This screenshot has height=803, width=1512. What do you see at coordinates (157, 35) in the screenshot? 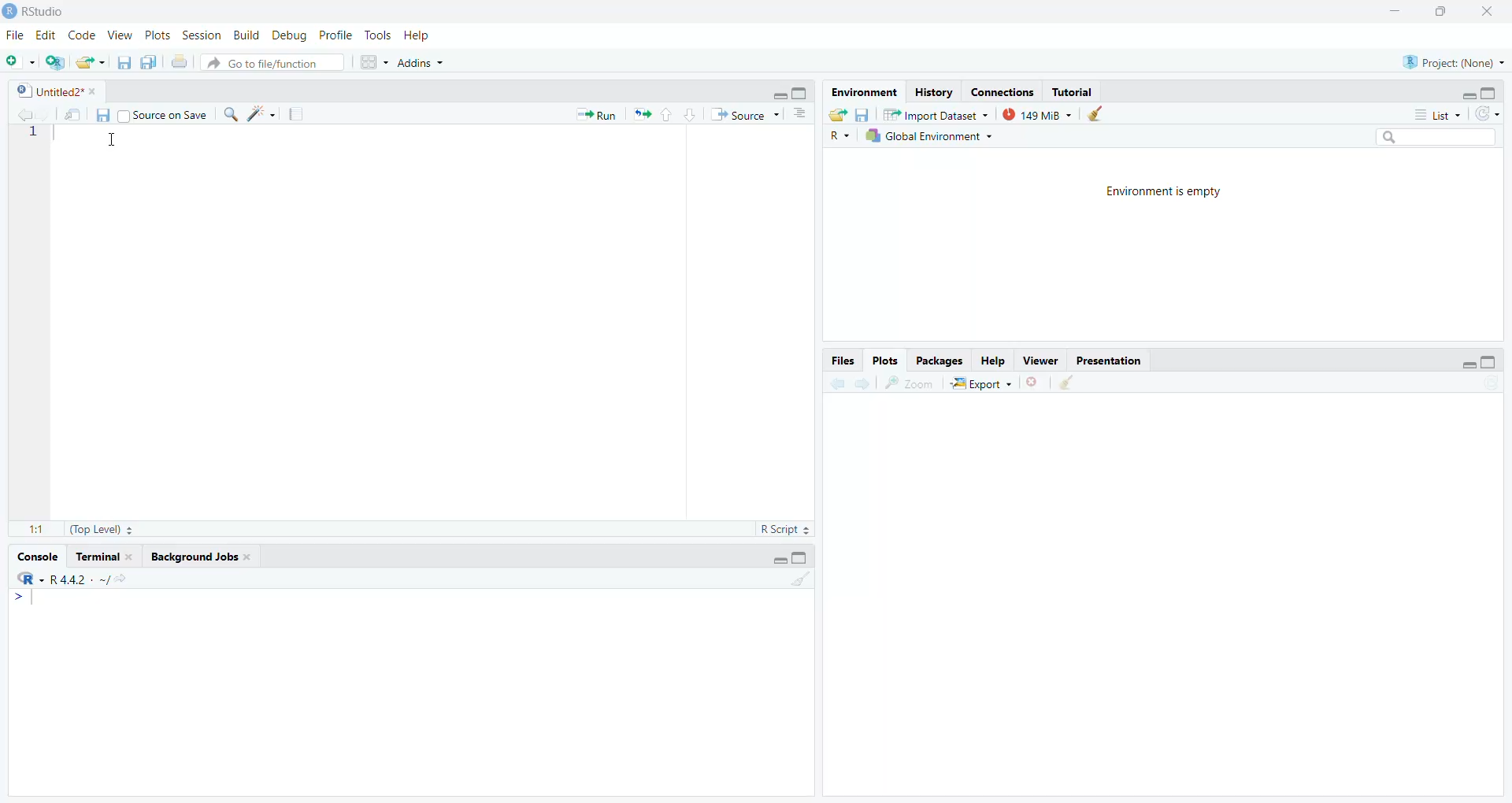
I see `Plots` at bounding box center [157, 35].